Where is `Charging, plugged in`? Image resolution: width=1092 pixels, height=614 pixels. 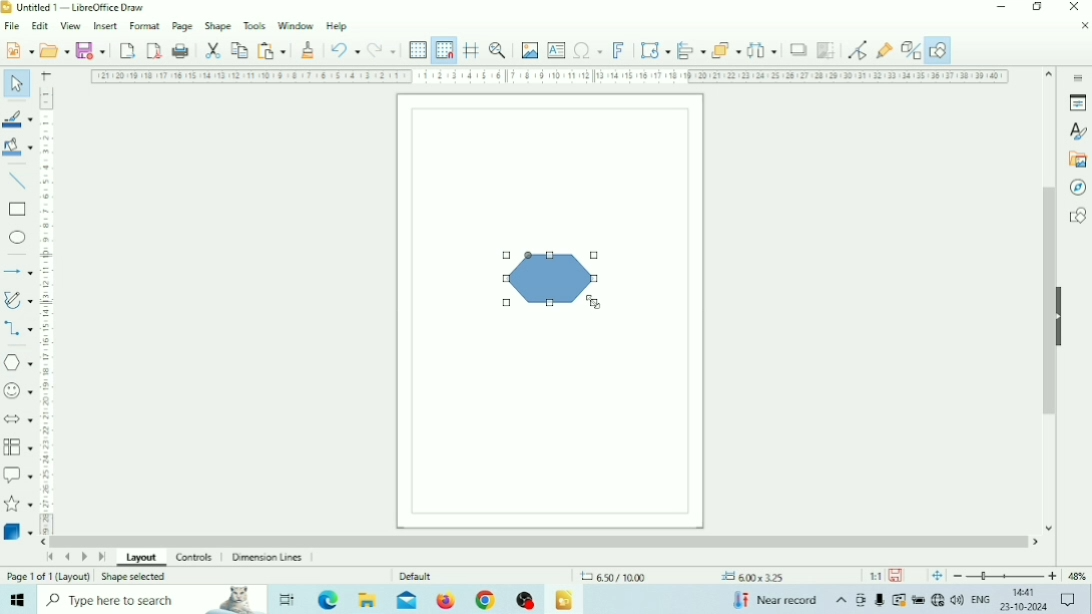
Charging, plugged in is located at coordinates (917, 600).